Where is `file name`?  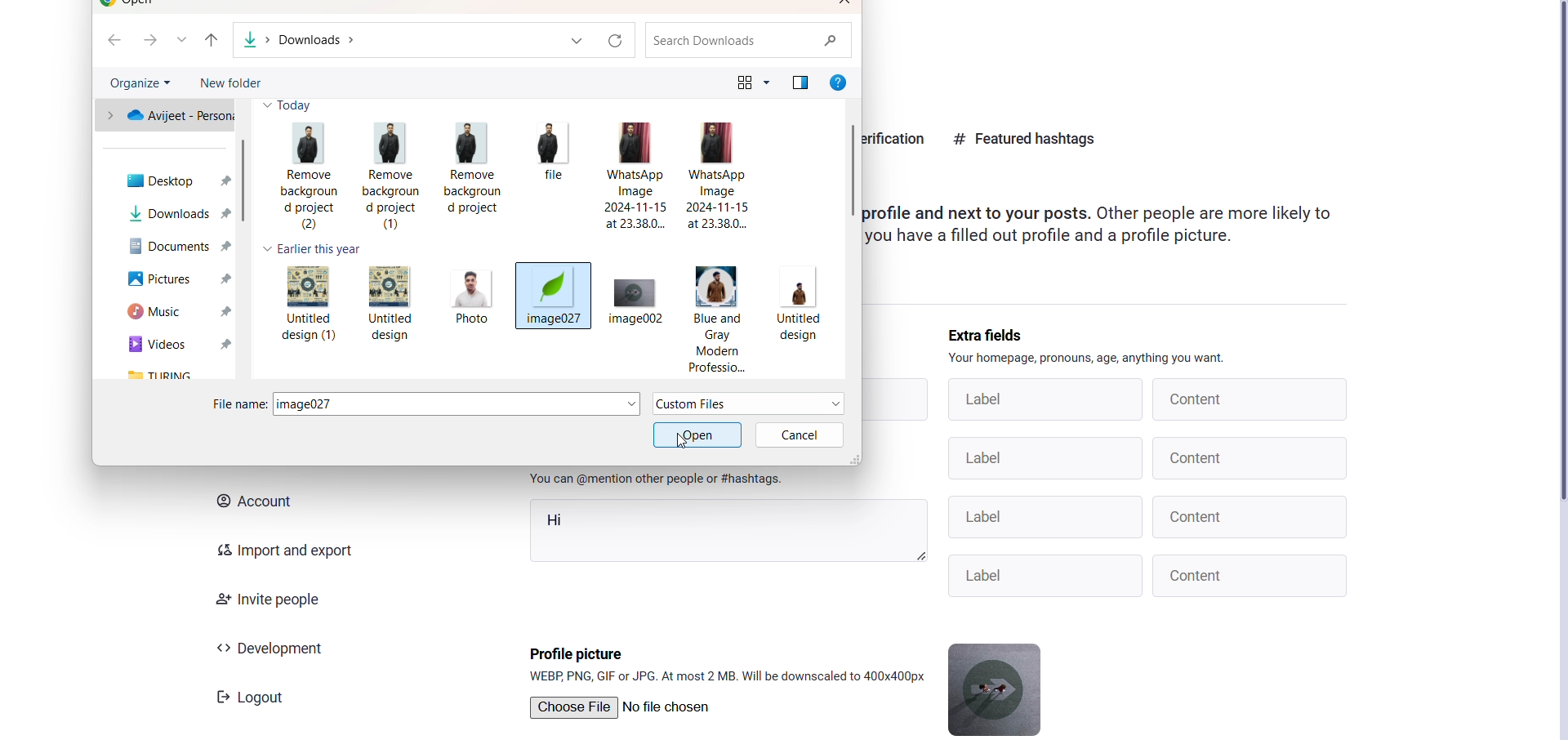
file name is located at coordinates (238, 403).